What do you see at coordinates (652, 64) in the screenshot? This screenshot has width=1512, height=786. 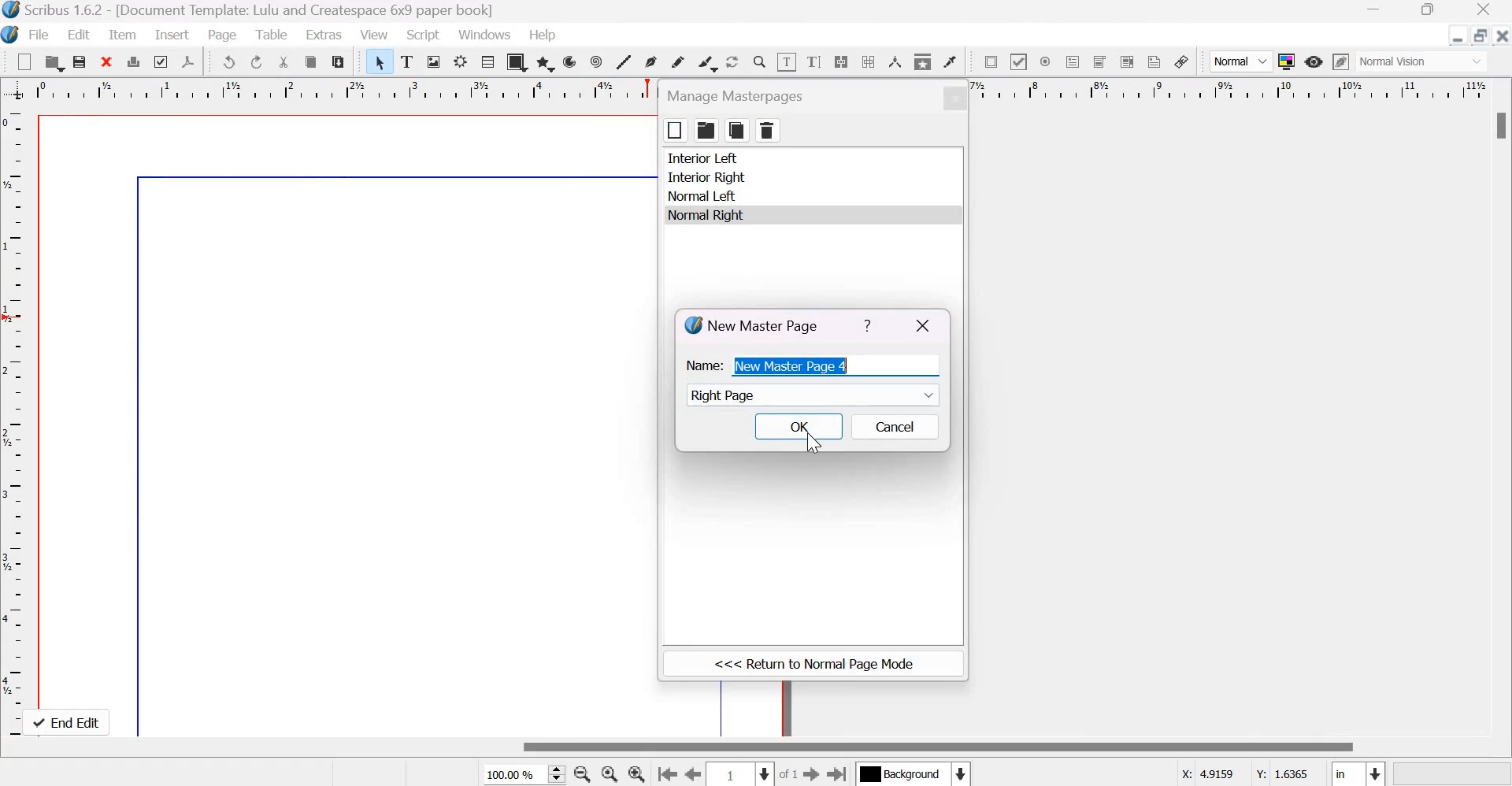 I see `Bezier curve` at bounding box center [652, 64].